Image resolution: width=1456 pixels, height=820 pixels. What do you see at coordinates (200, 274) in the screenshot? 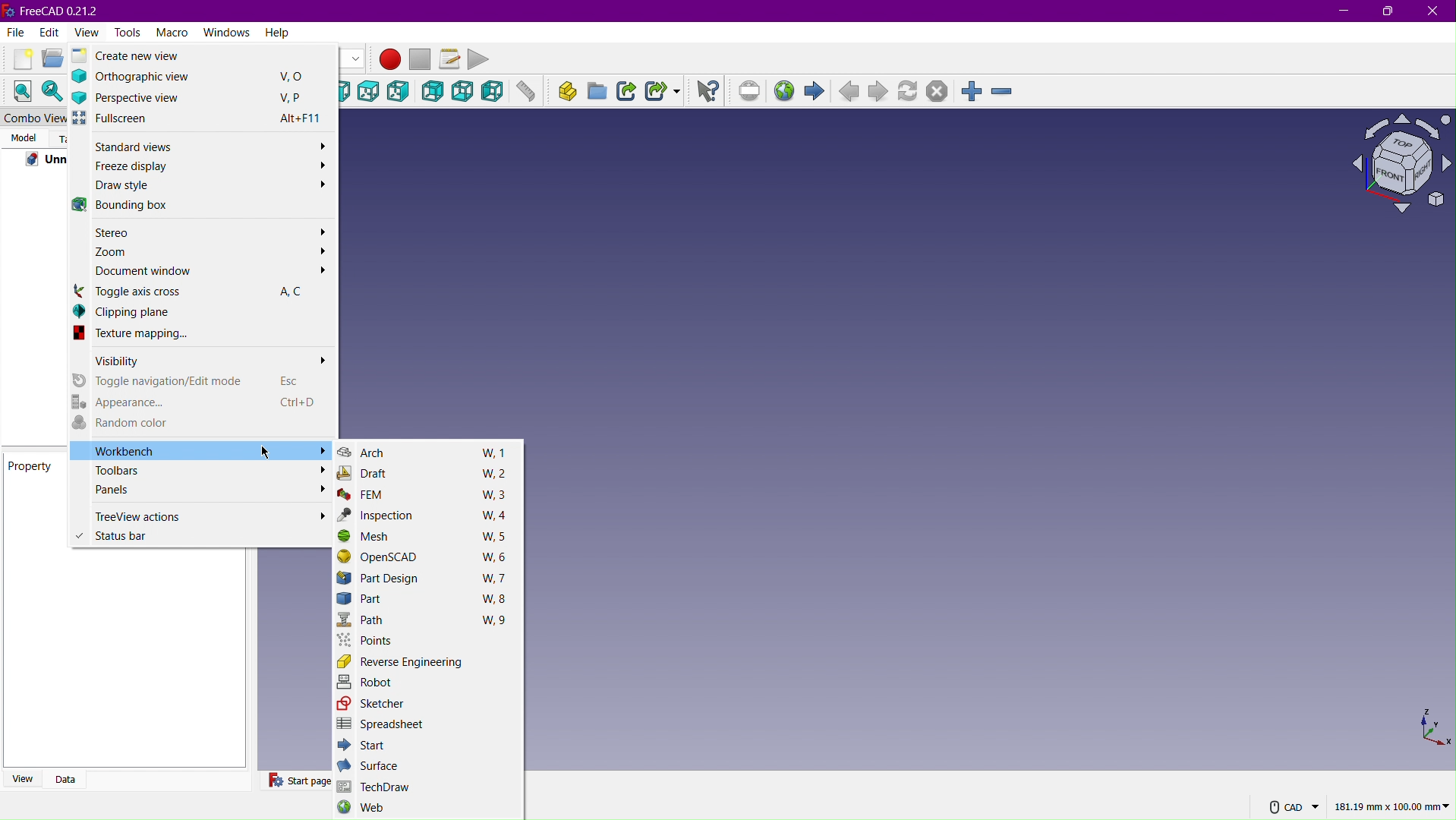
I see `Document window` at bounding box center [200, 274].